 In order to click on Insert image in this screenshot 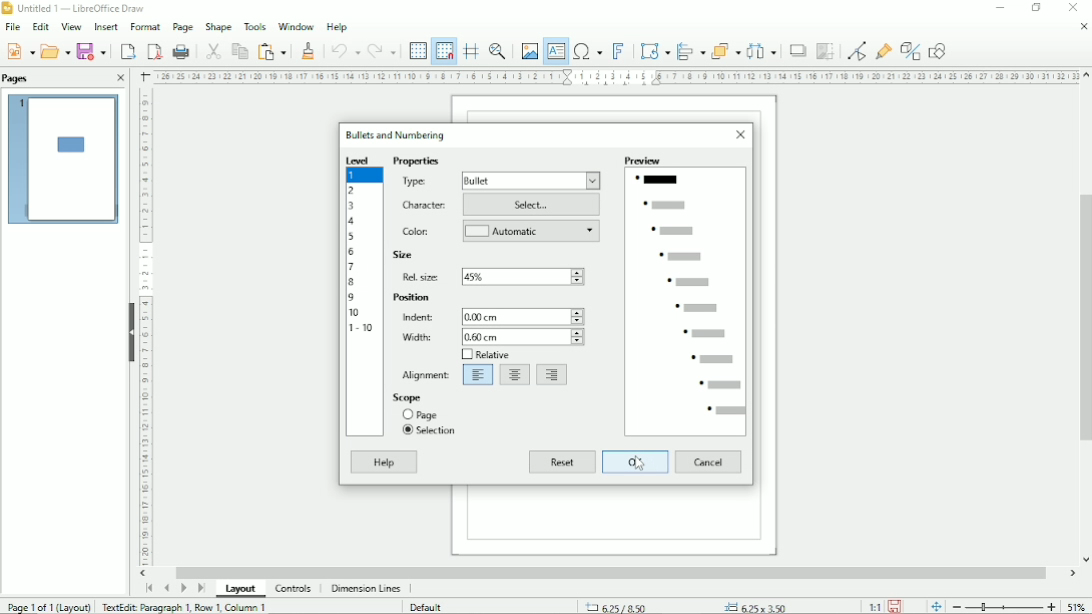, I will do `click(528, 49)`.